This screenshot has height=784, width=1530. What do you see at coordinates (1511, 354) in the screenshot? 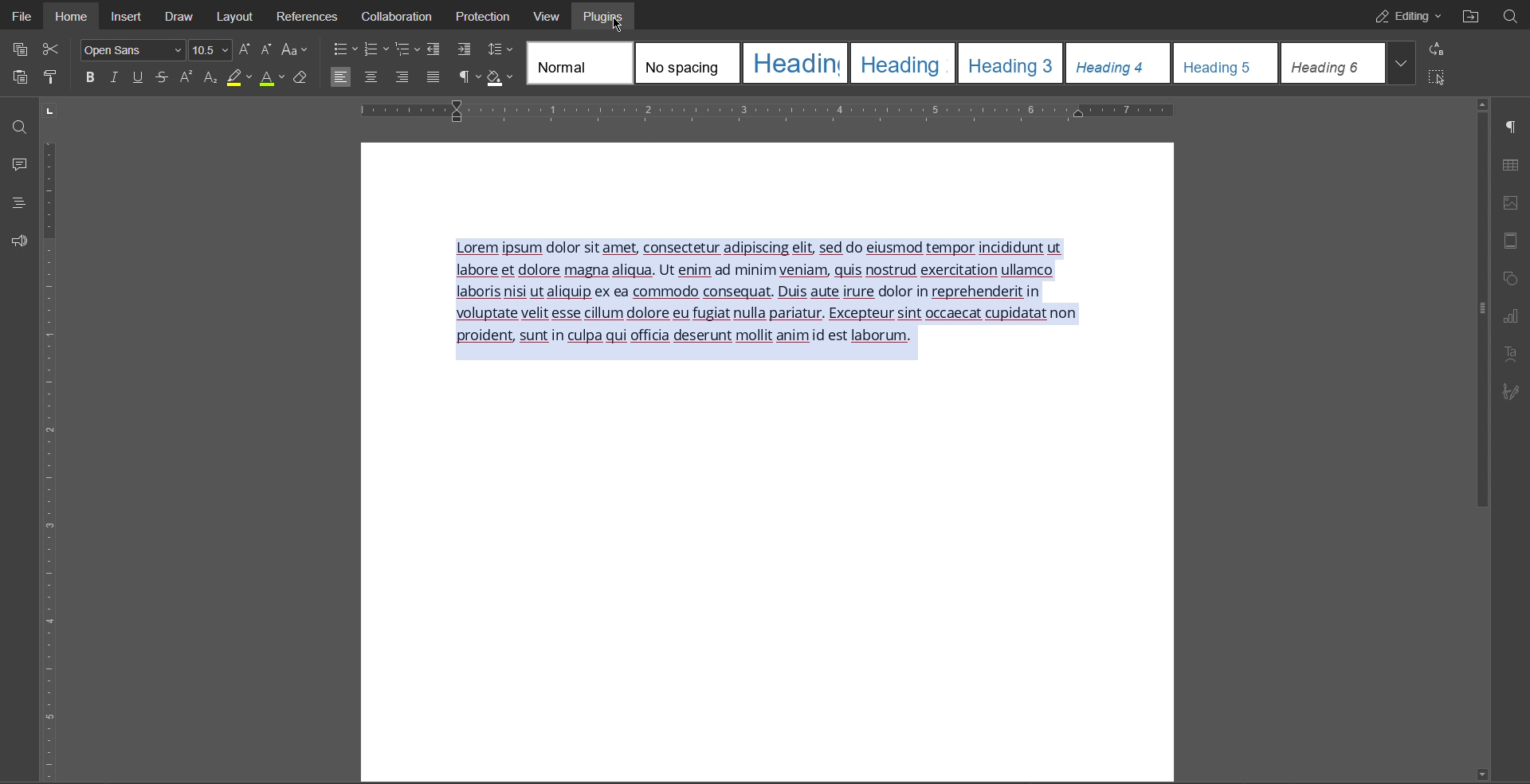
I see `Text Art` at bounding box center [1511, 354].